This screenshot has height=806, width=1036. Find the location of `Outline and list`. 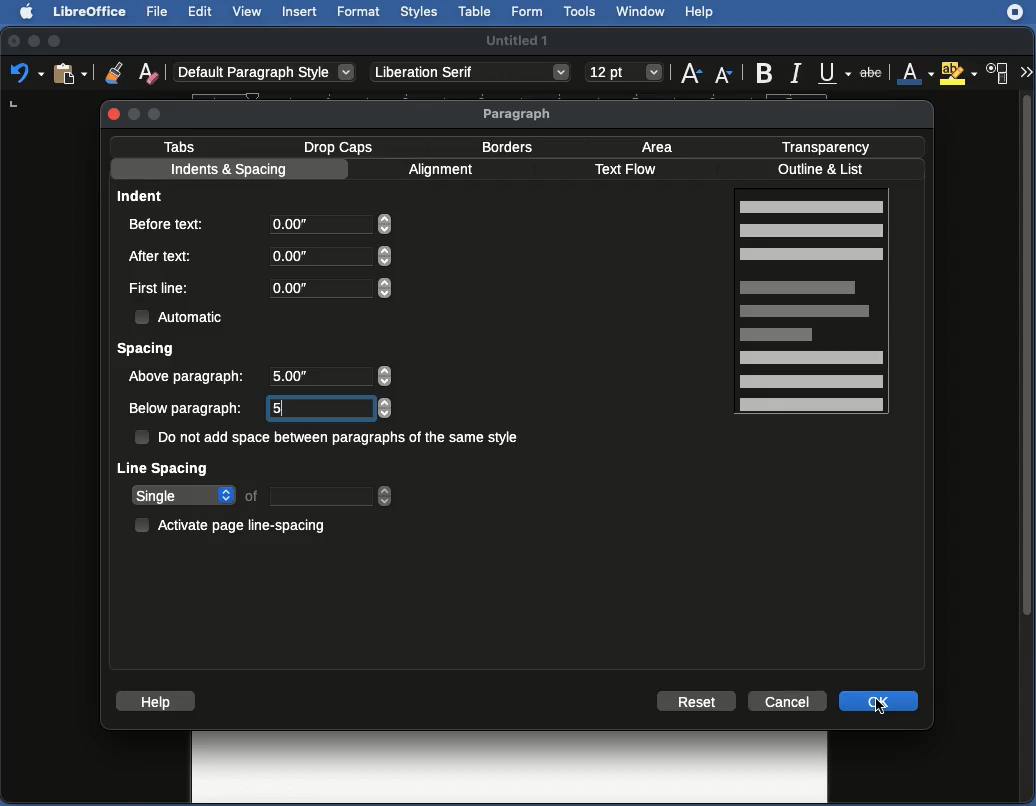

Outline and list is located at coordinates (824, 170).